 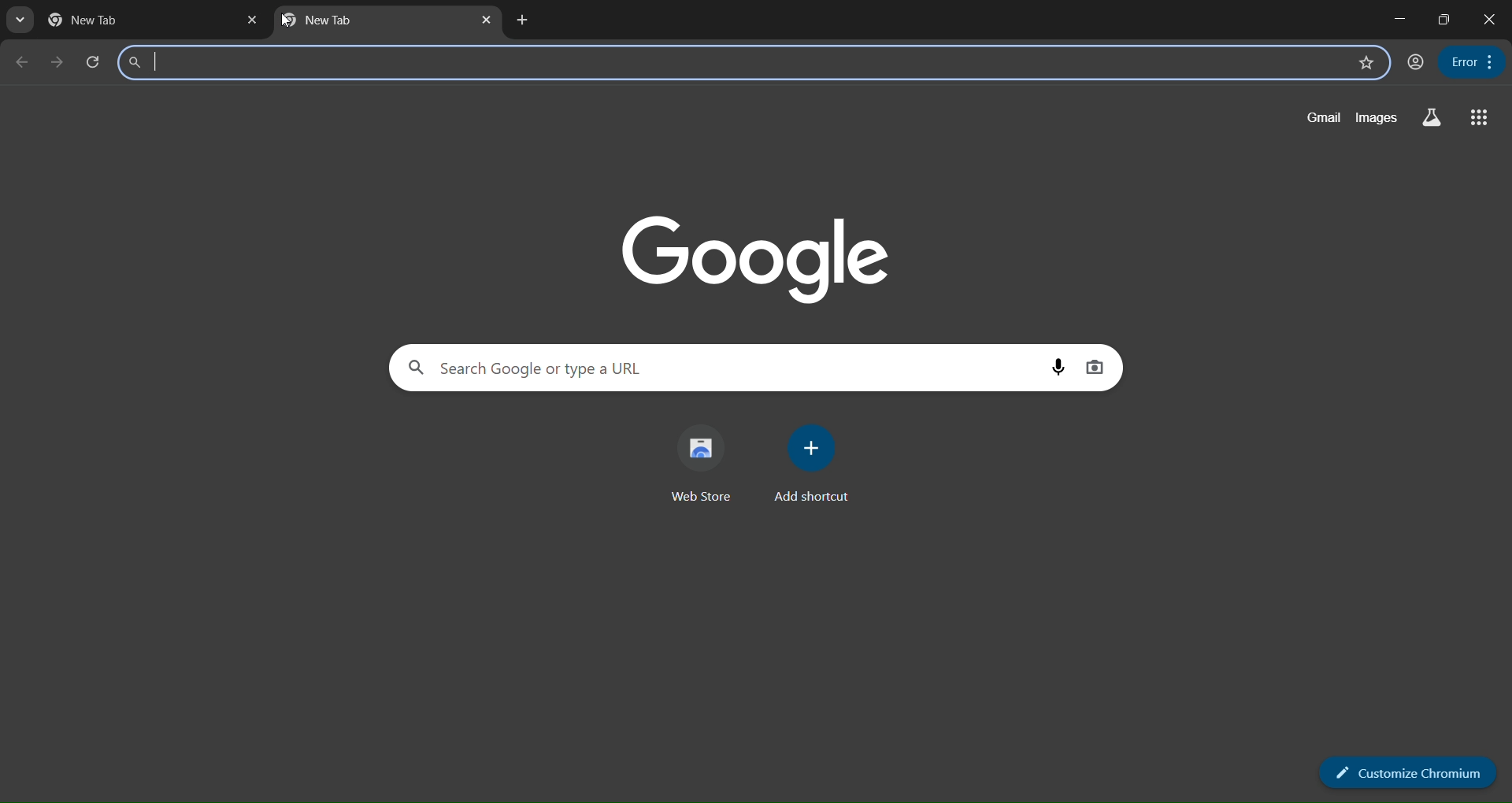 What do you see at coordinates (1358, 65) in the screenshot?
I see `bookmark` at bounding box center [1358, 65].